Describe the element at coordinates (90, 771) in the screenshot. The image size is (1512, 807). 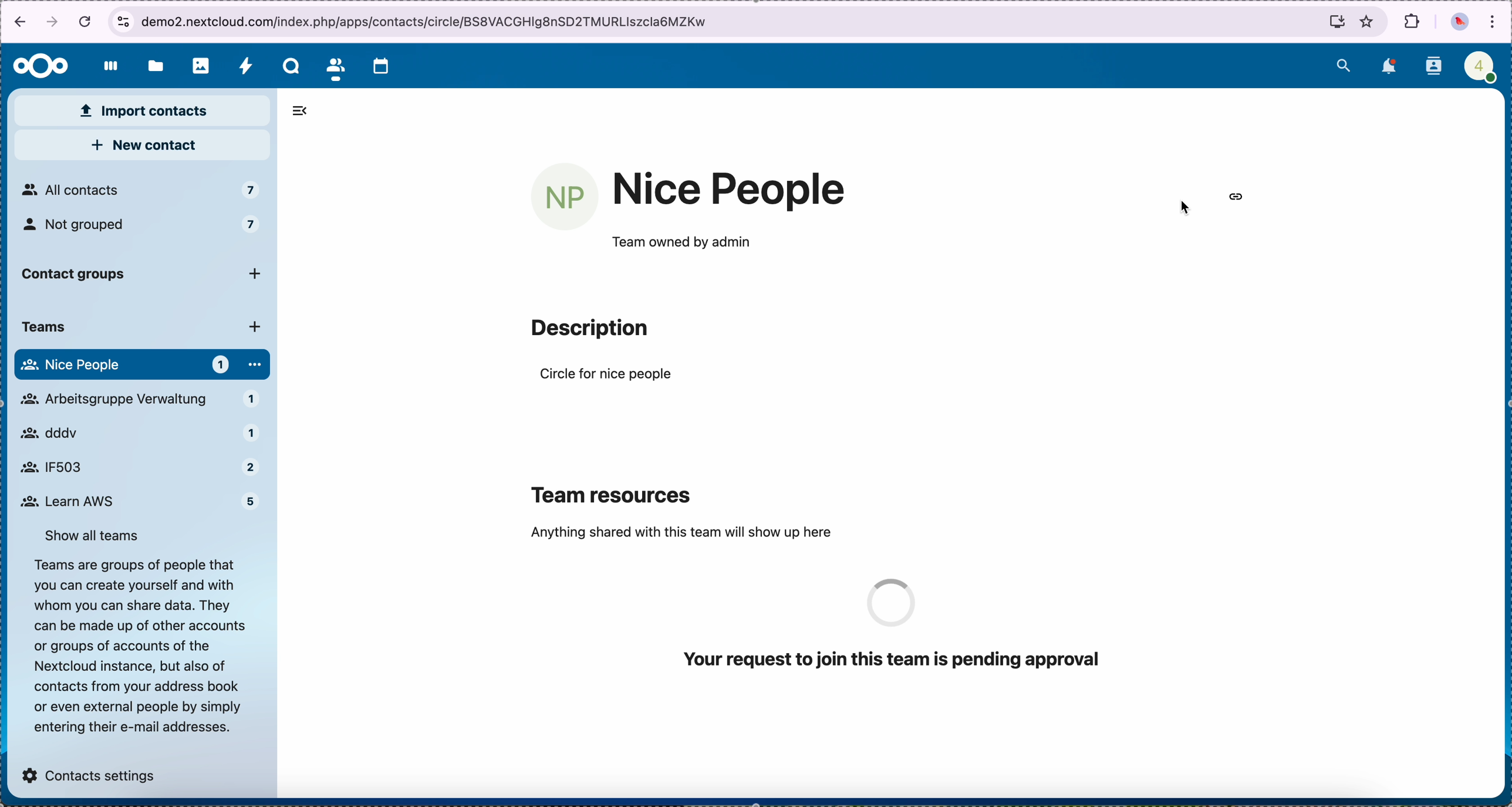
I see `contacts settings` at that location.